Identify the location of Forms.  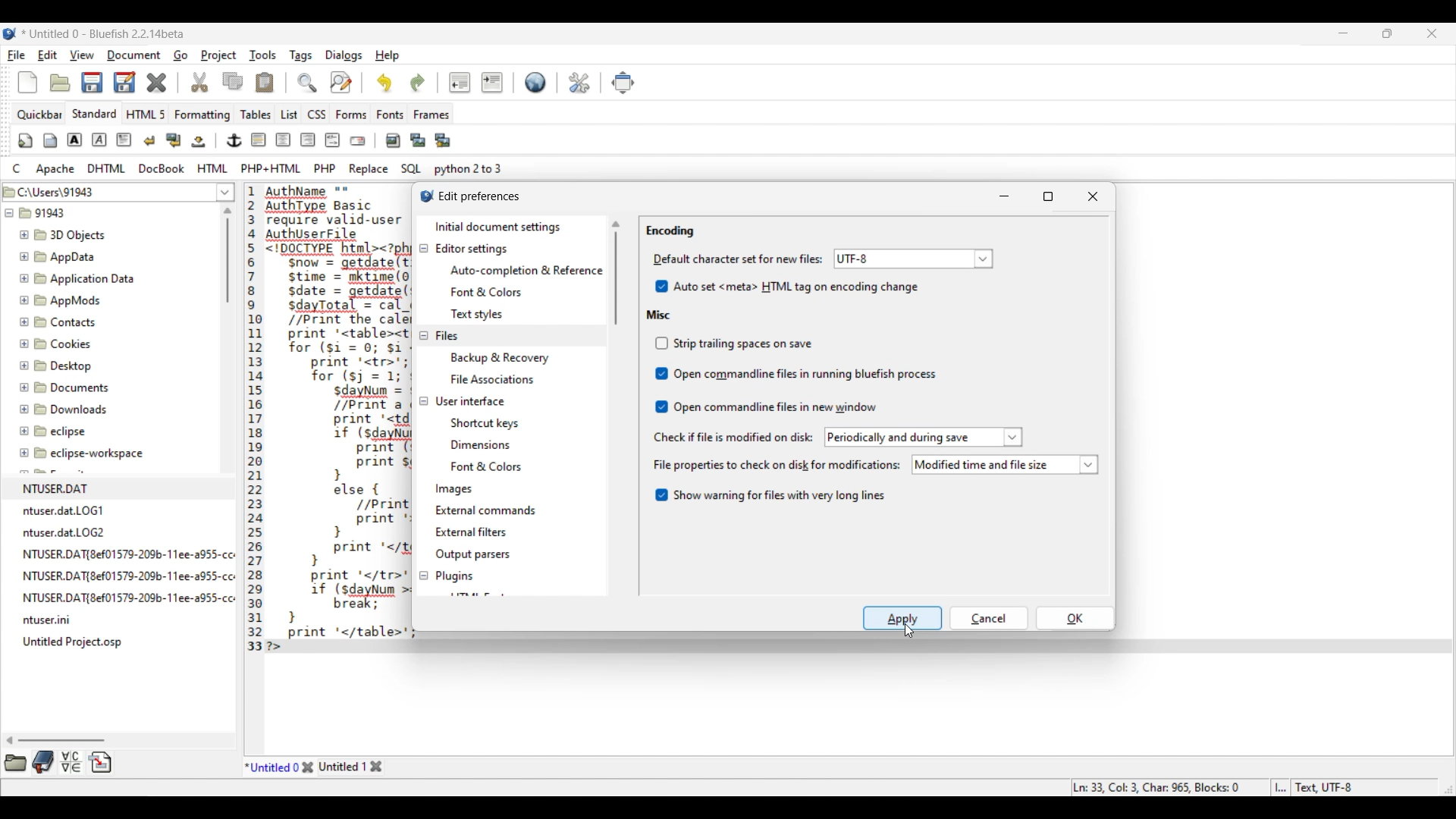
(352, 115).